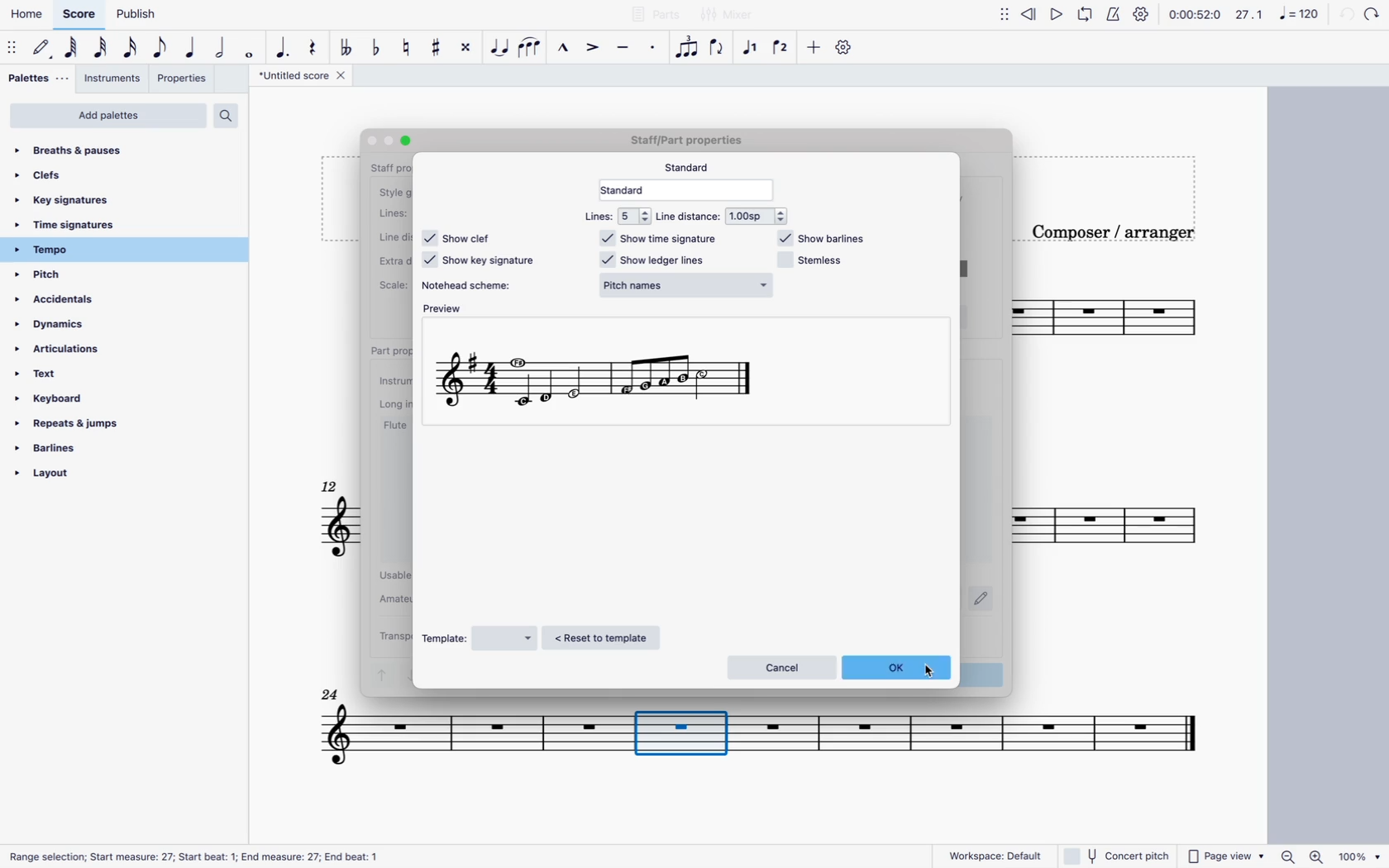  What do you see at coordinates (43, 46) in the screenshot?
I see `default` at bounding box center [43, 46].